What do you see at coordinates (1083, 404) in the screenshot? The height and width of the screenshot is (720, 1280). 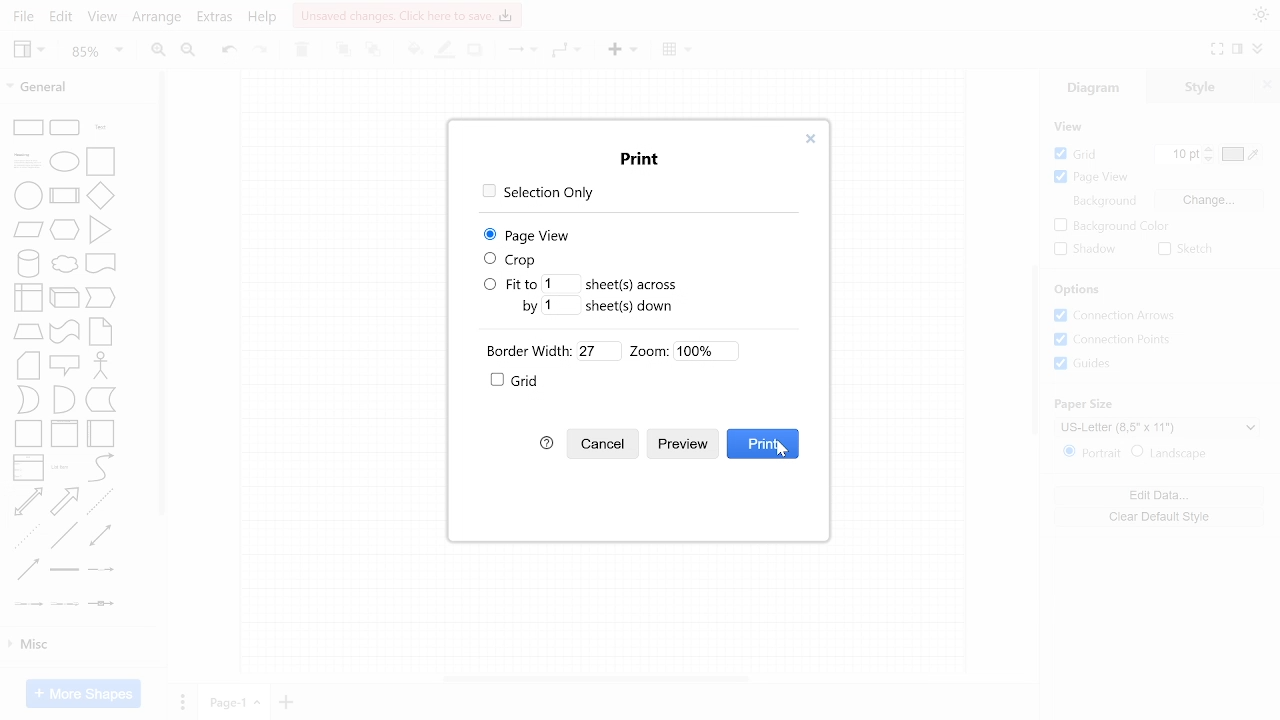 I see `Paper size` at bounding box center [1083, 404].